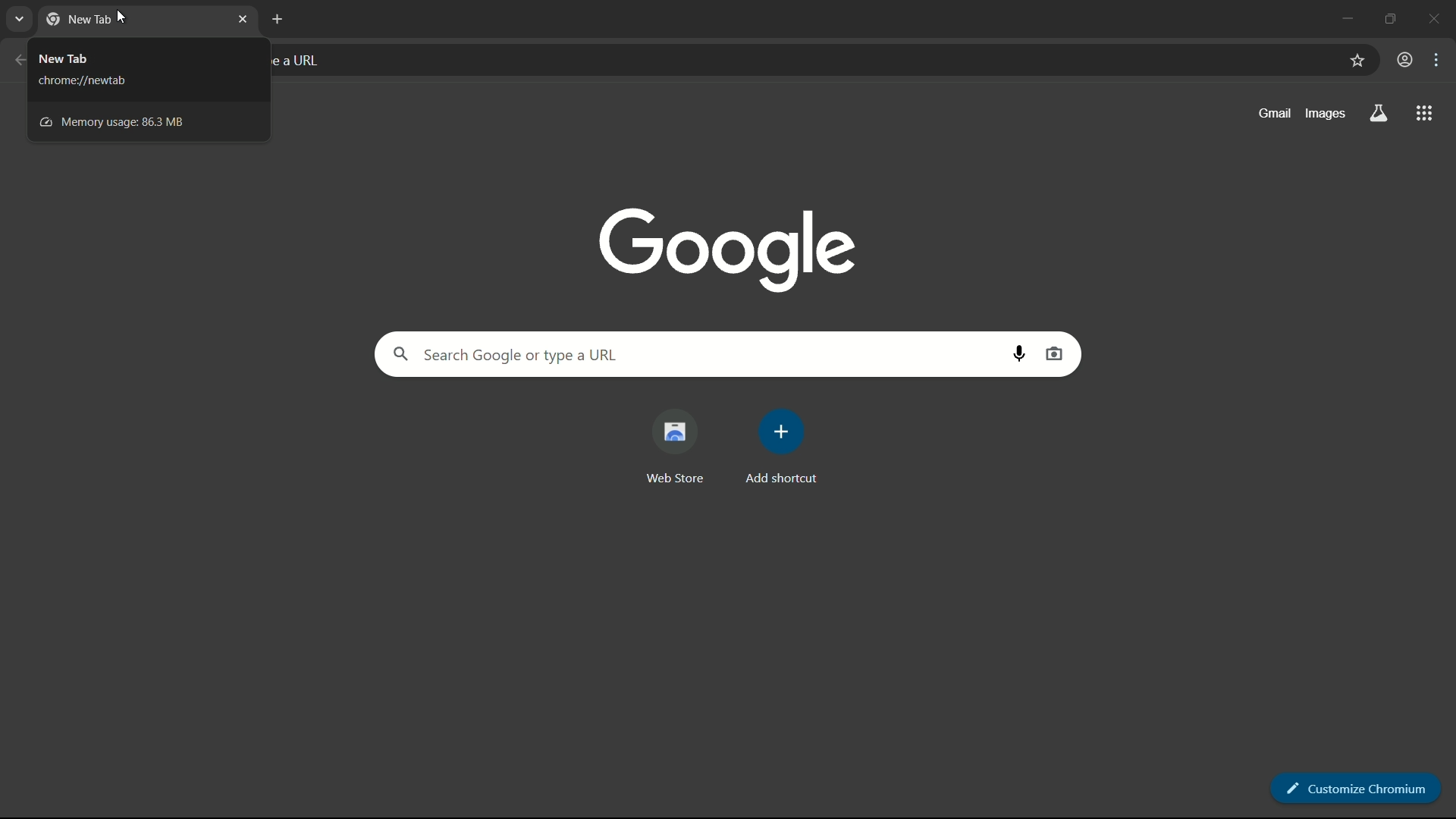 This screenshot has height=819, width=1456. I want to click on close tab, so click(242, 20).